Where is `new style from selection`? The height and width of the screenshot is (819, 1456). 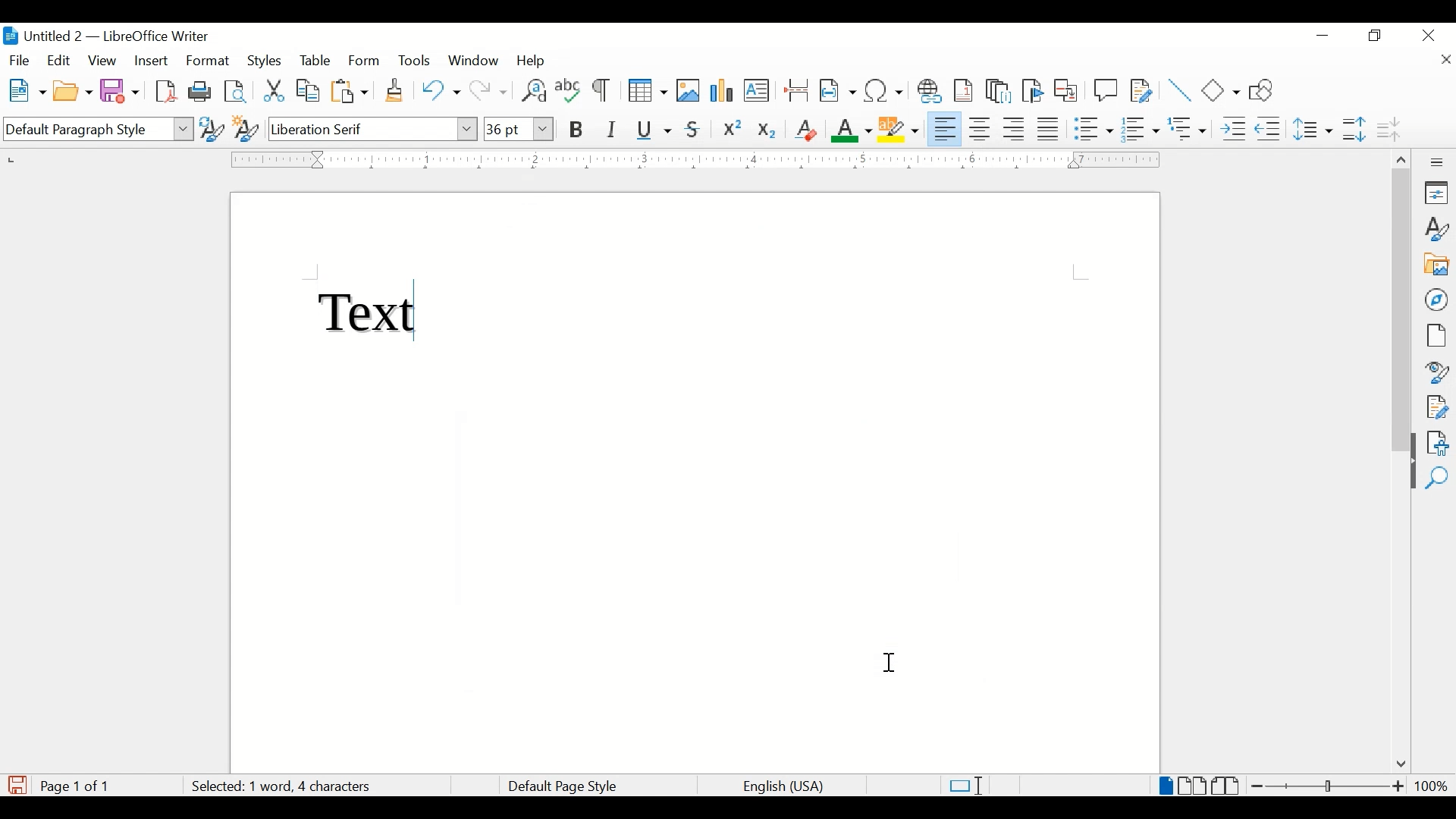 new style from selection is located at coordinates (246, 126).